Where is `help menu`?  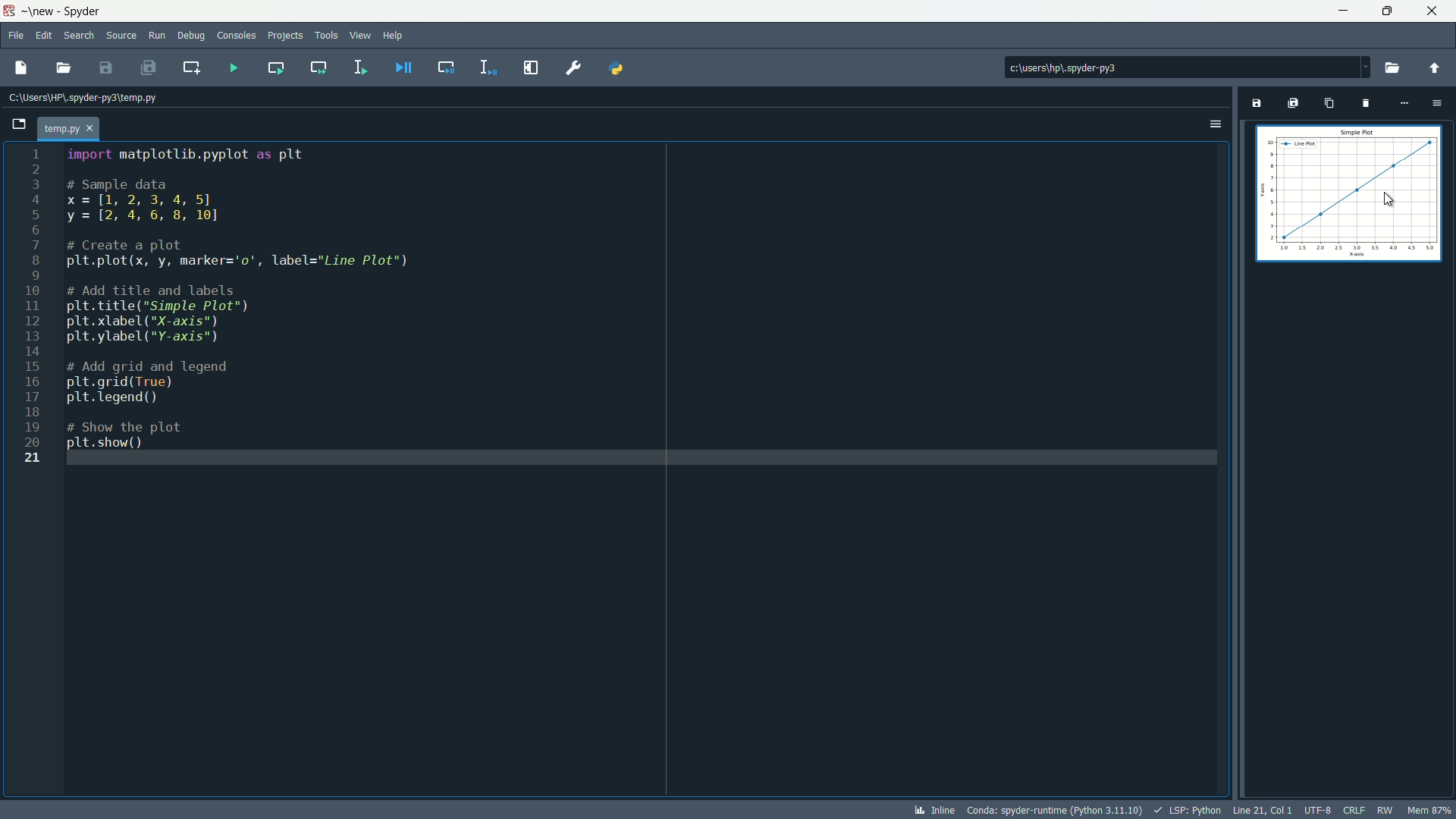
help menu is located at coordinates (395, 35).